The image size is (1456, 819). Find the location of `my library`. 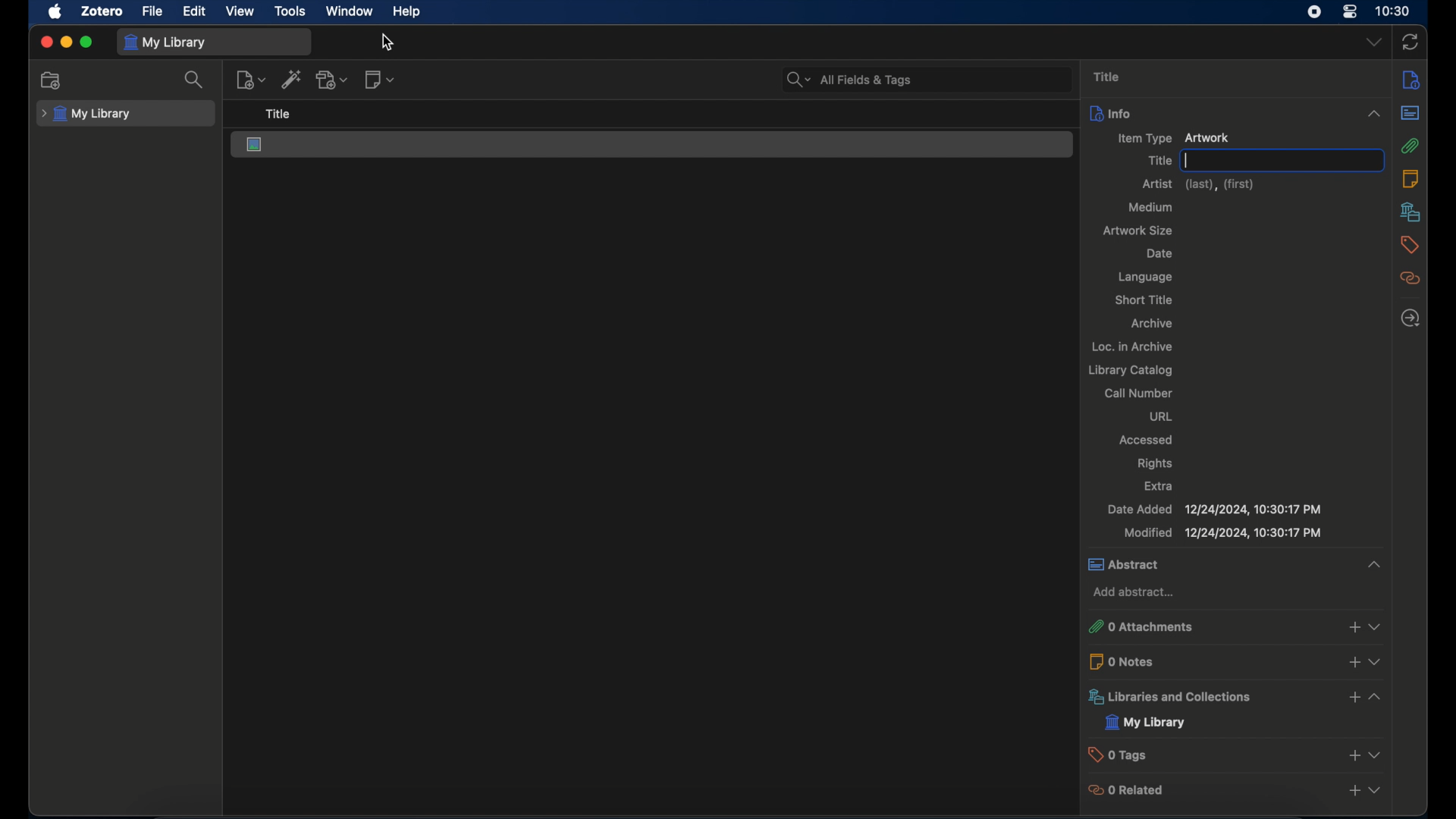

my library is located at coordinates (165, 42).